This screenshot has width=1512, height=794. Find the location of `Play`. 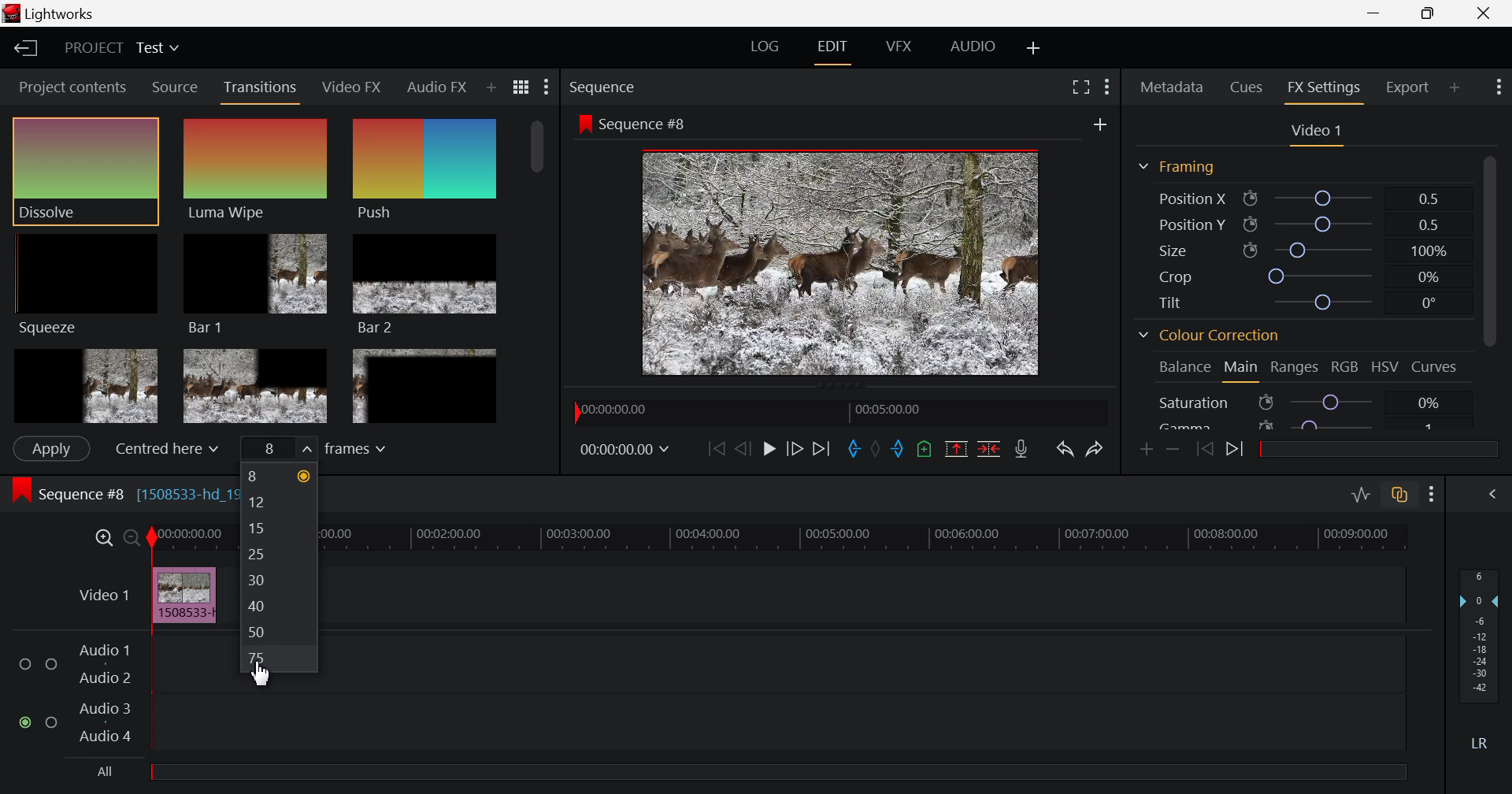

Play is located at coordinates (765, 447).